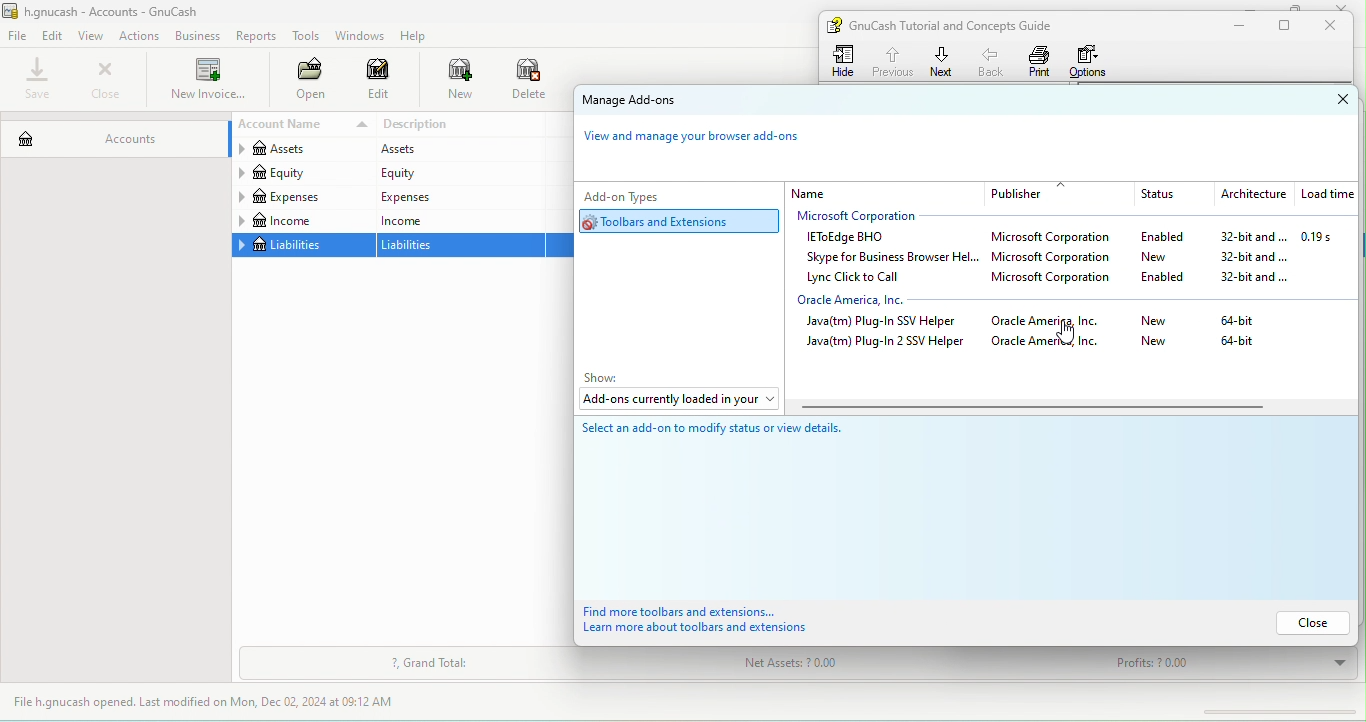 This screenshot has height=722, width=1366. I want to click on file h.gnucash opened last modified on mon, dec 02,2024 at 09.12 am, so click(219, 703).